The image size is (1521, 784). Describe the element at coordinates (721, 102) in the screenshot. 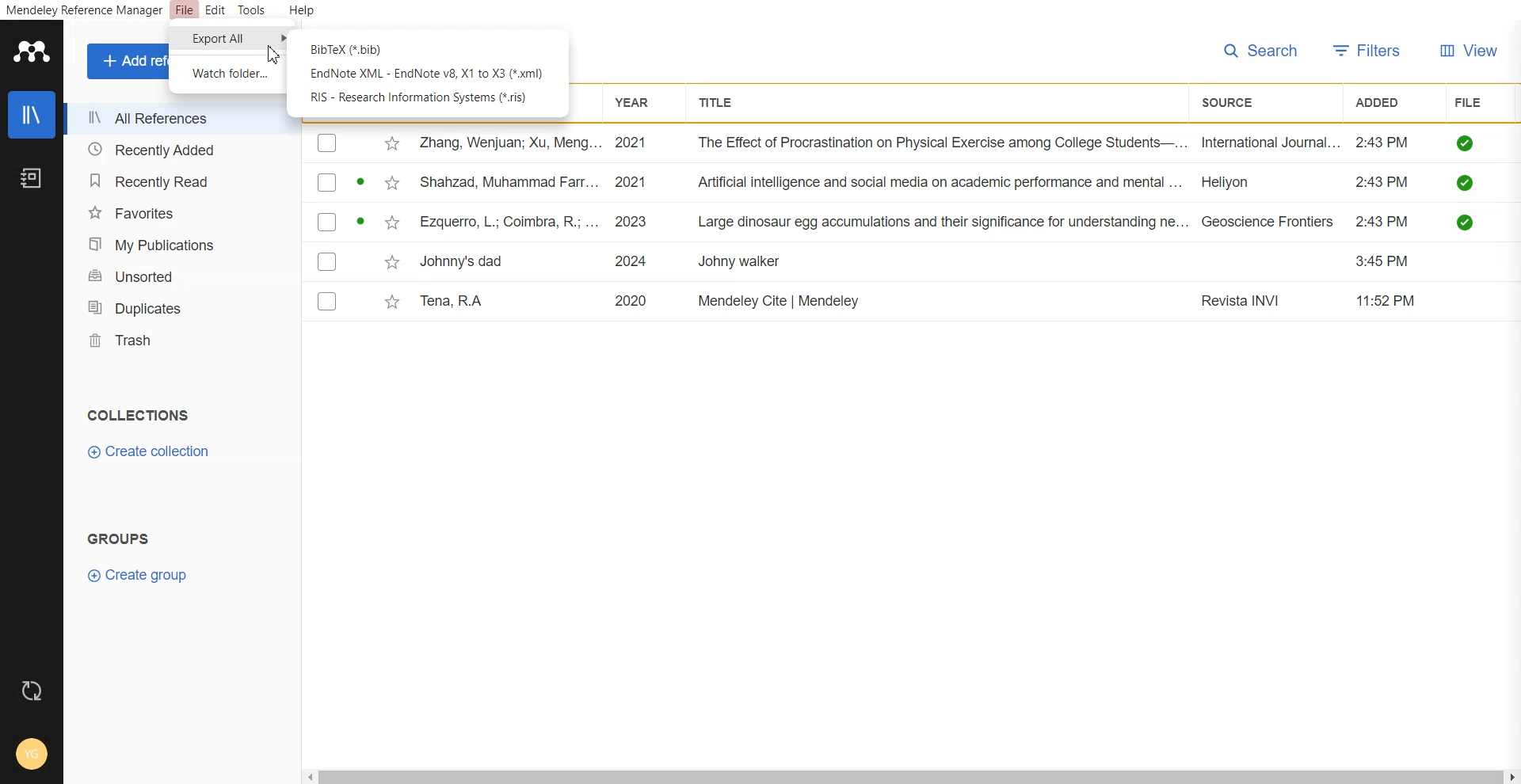

I see `Title` at that location.